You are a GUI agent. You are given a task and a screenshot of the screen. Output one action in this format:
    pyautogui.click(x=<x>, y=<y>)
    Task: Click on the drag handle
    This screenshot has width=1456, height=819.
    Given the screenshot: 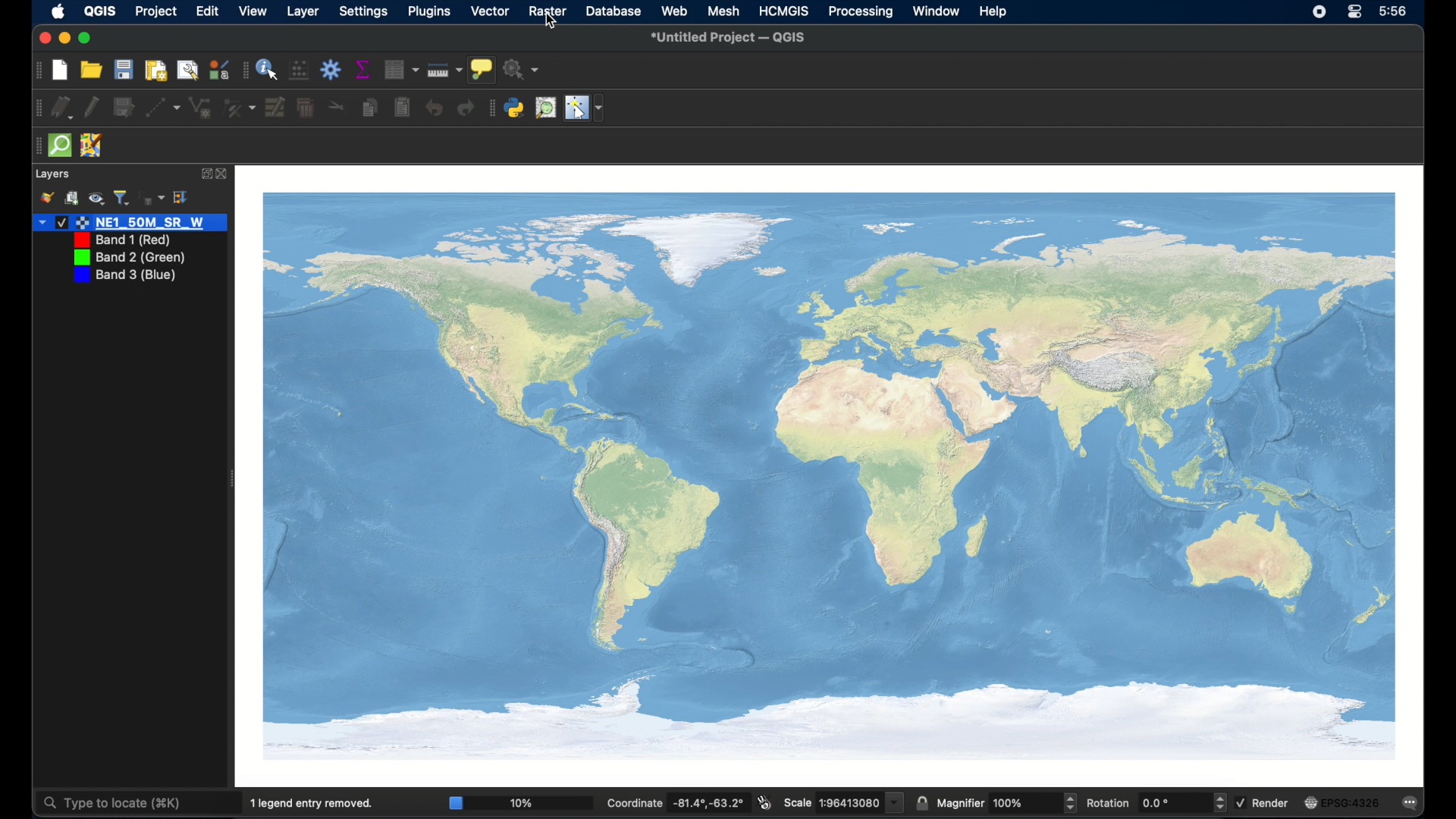 What is the action you would take?
    pyautogui.click(x=491, y=108)
    